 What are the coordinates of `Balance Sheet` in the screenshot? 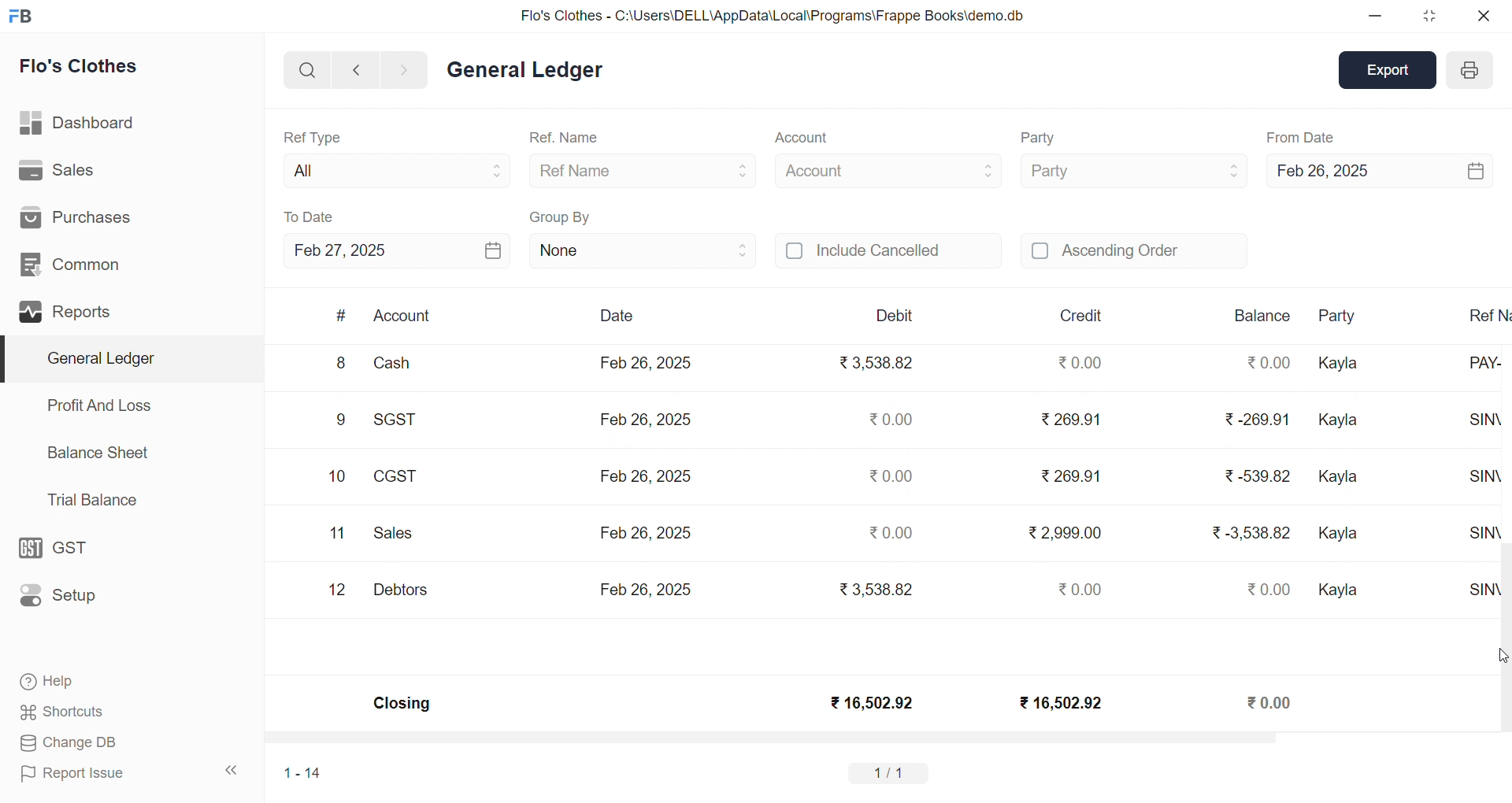 It's located at (99, 452).